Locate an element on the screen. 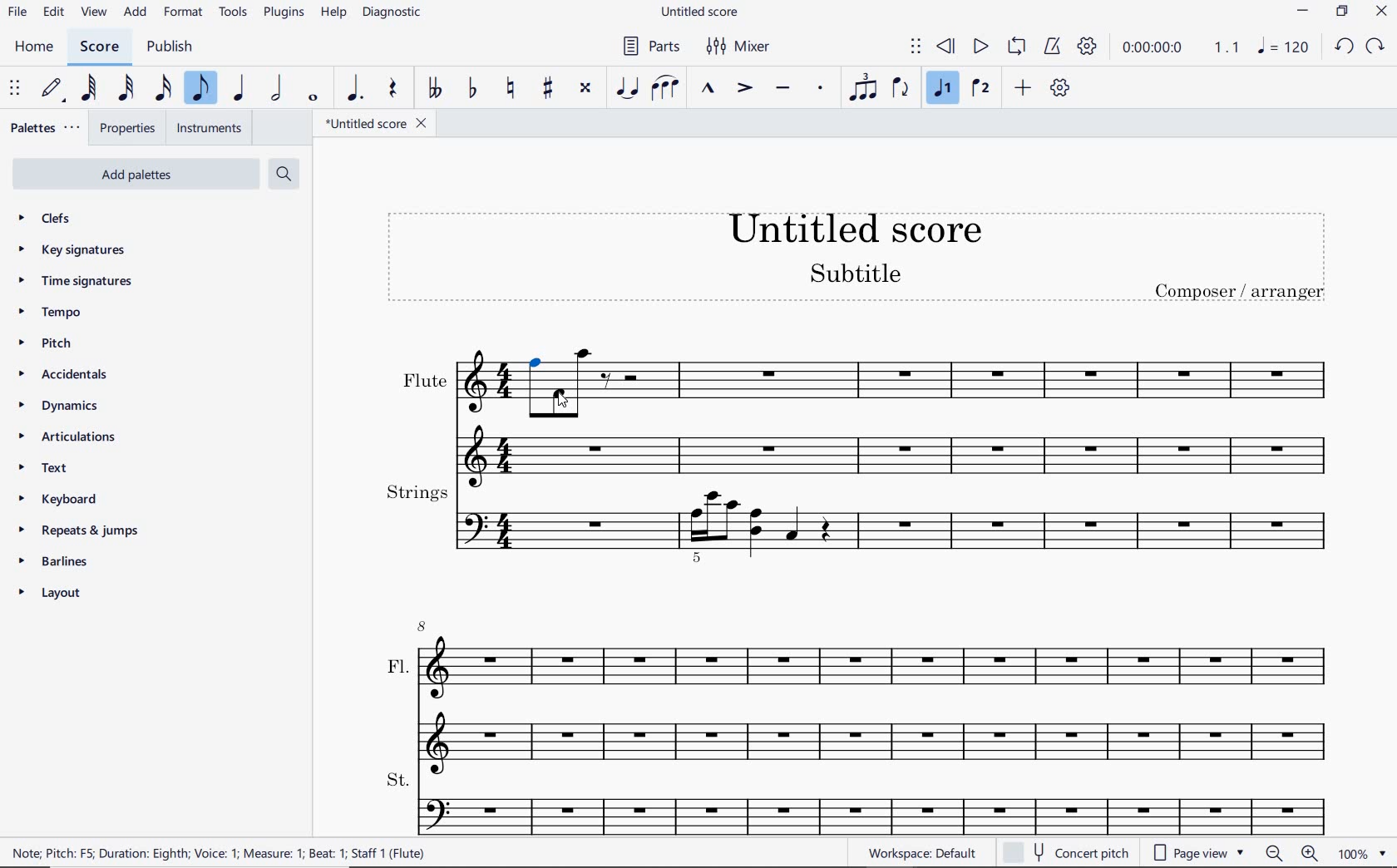  EIGHTH NOTE is located at coordinates (201, 89).